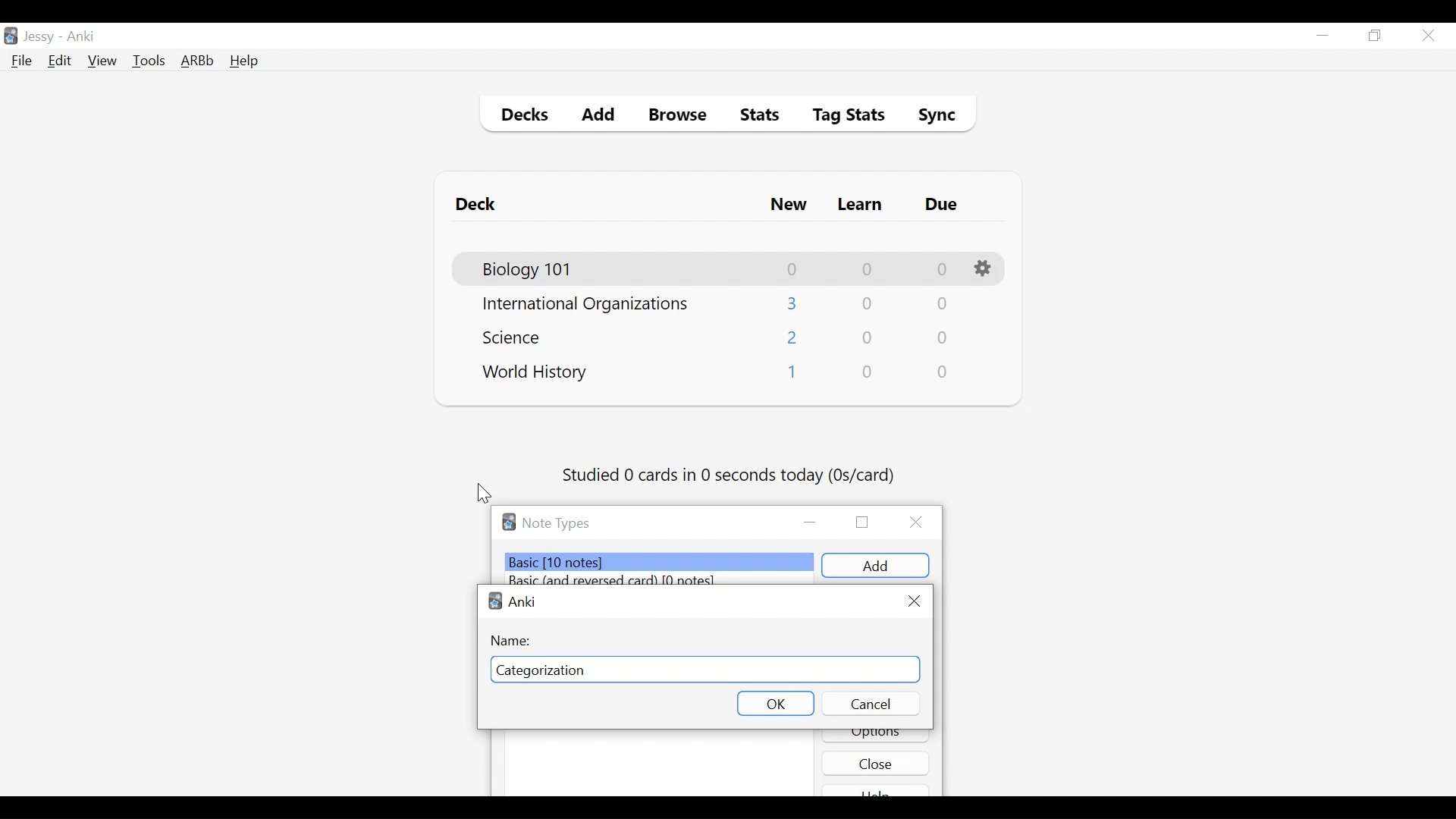 This screenshot has width=1456, height=819. Describe the element at coordinates (944, 372) in the screenshot. I see `Due Card Count` at that location.